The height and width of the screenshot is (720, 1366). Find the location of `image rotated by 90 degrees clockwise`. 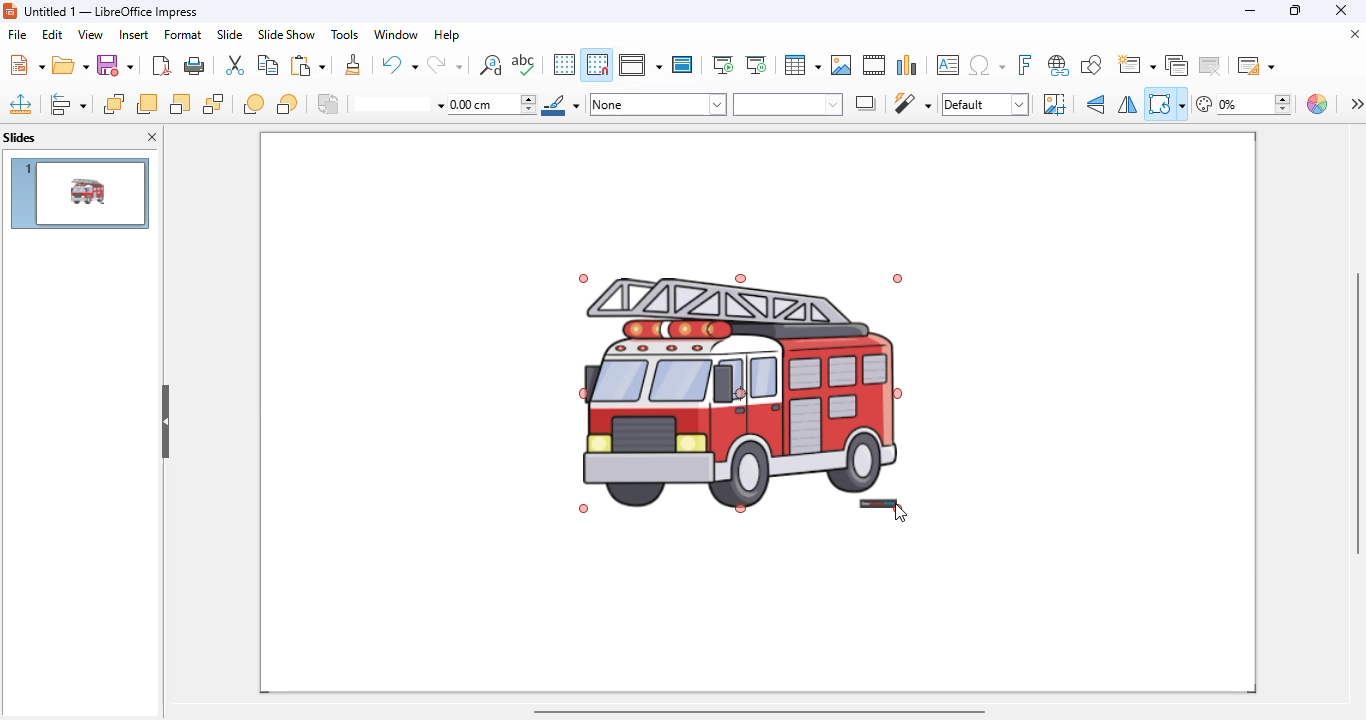

image rotated by 90 degrees clockwise is located at coordinates (739, 392).